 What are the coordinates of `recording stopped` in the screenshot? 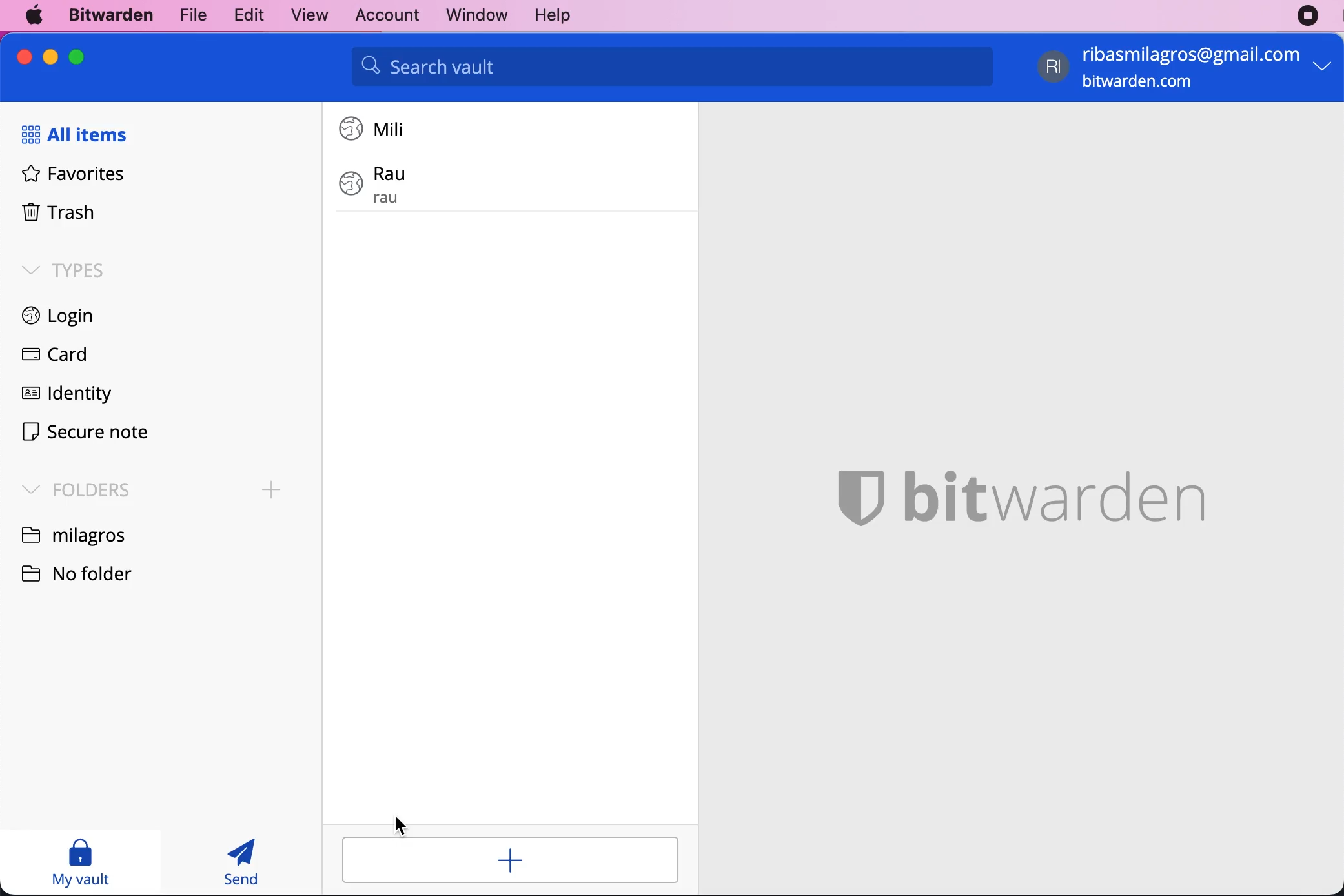 It's located at (1308, 16).